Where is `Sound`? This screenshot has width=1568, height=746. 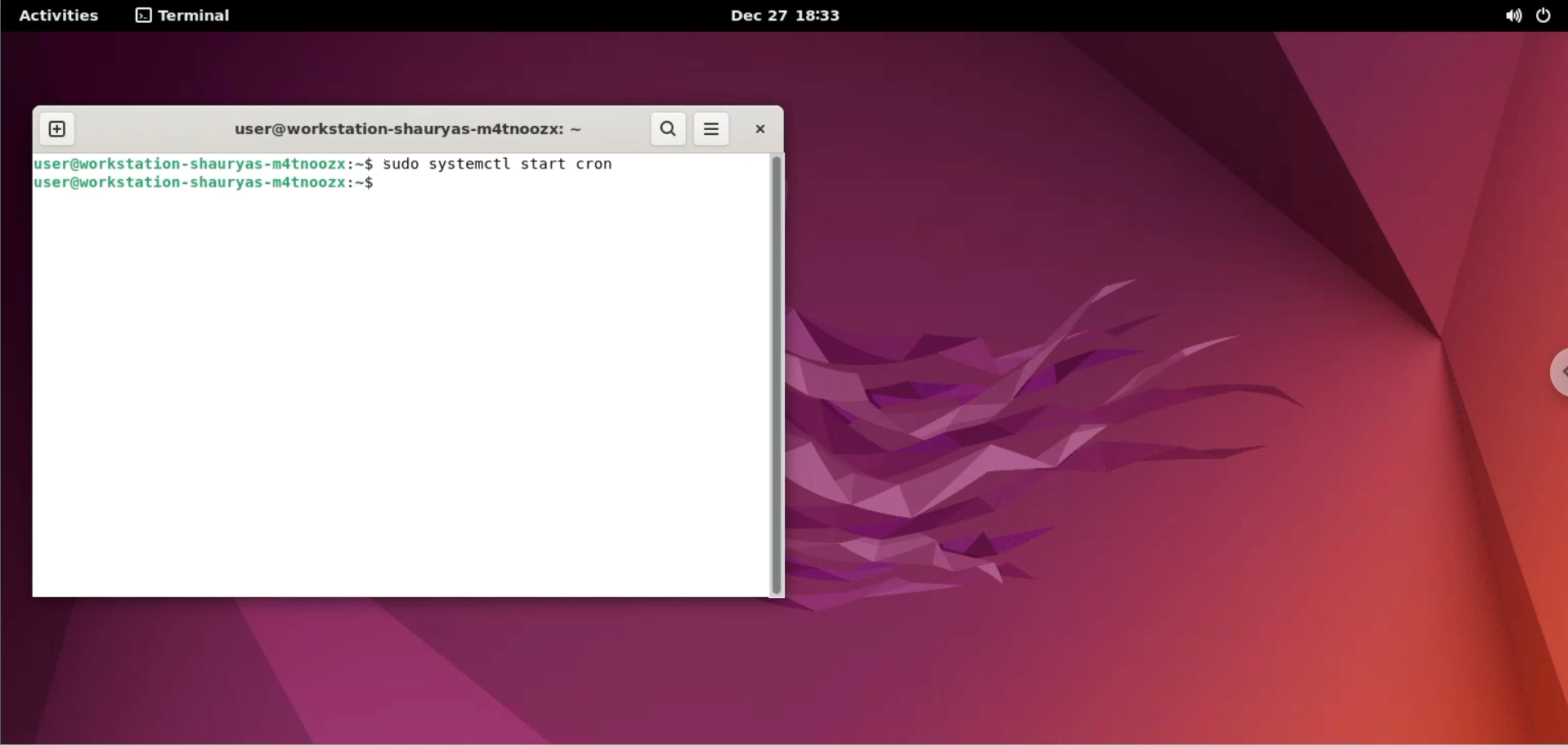
Sound is located at coordinates (1514, 17).